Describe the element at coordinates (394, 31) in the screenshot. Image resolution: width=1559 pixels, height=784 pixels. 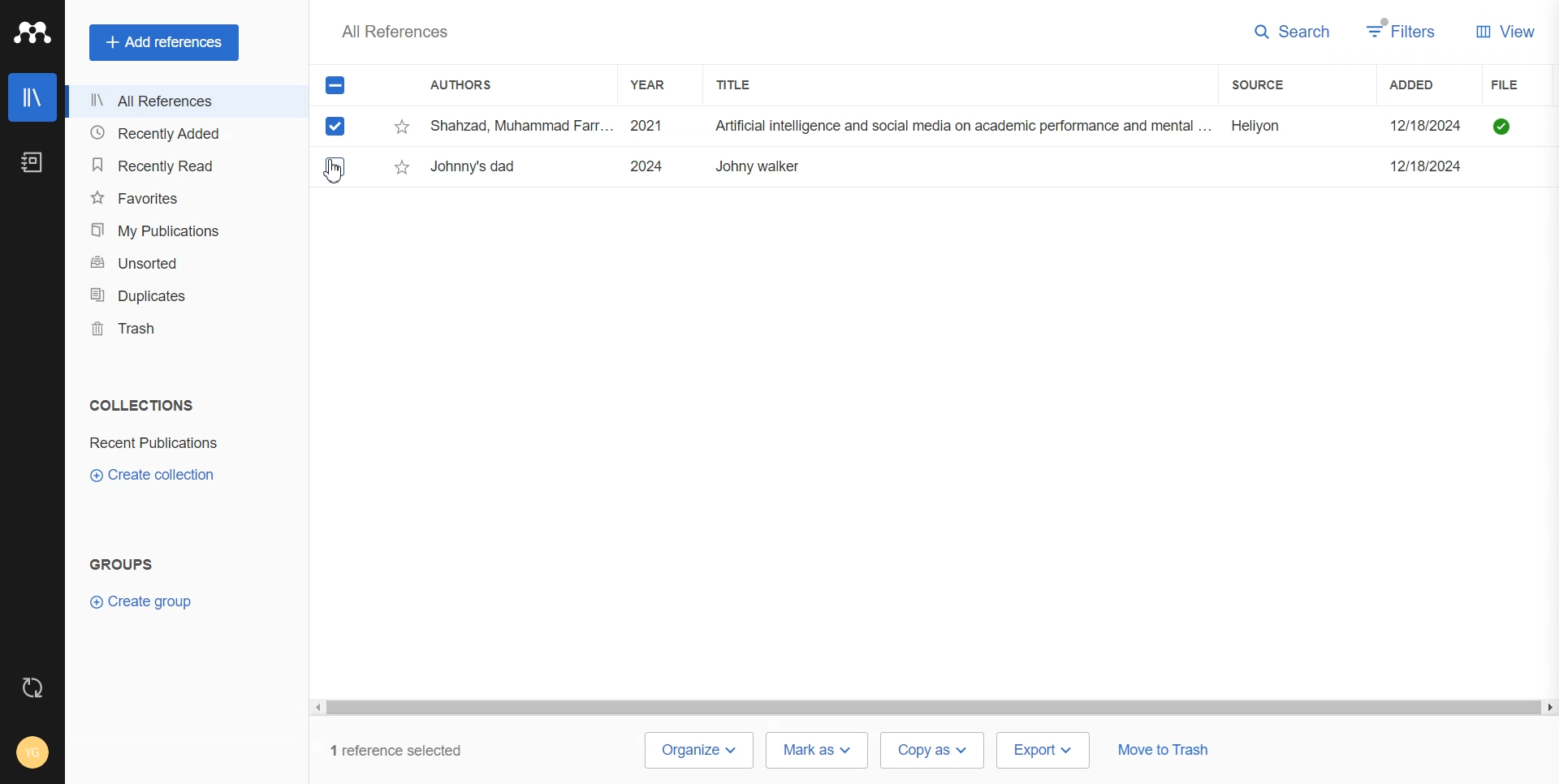
I see `Text` at that location.